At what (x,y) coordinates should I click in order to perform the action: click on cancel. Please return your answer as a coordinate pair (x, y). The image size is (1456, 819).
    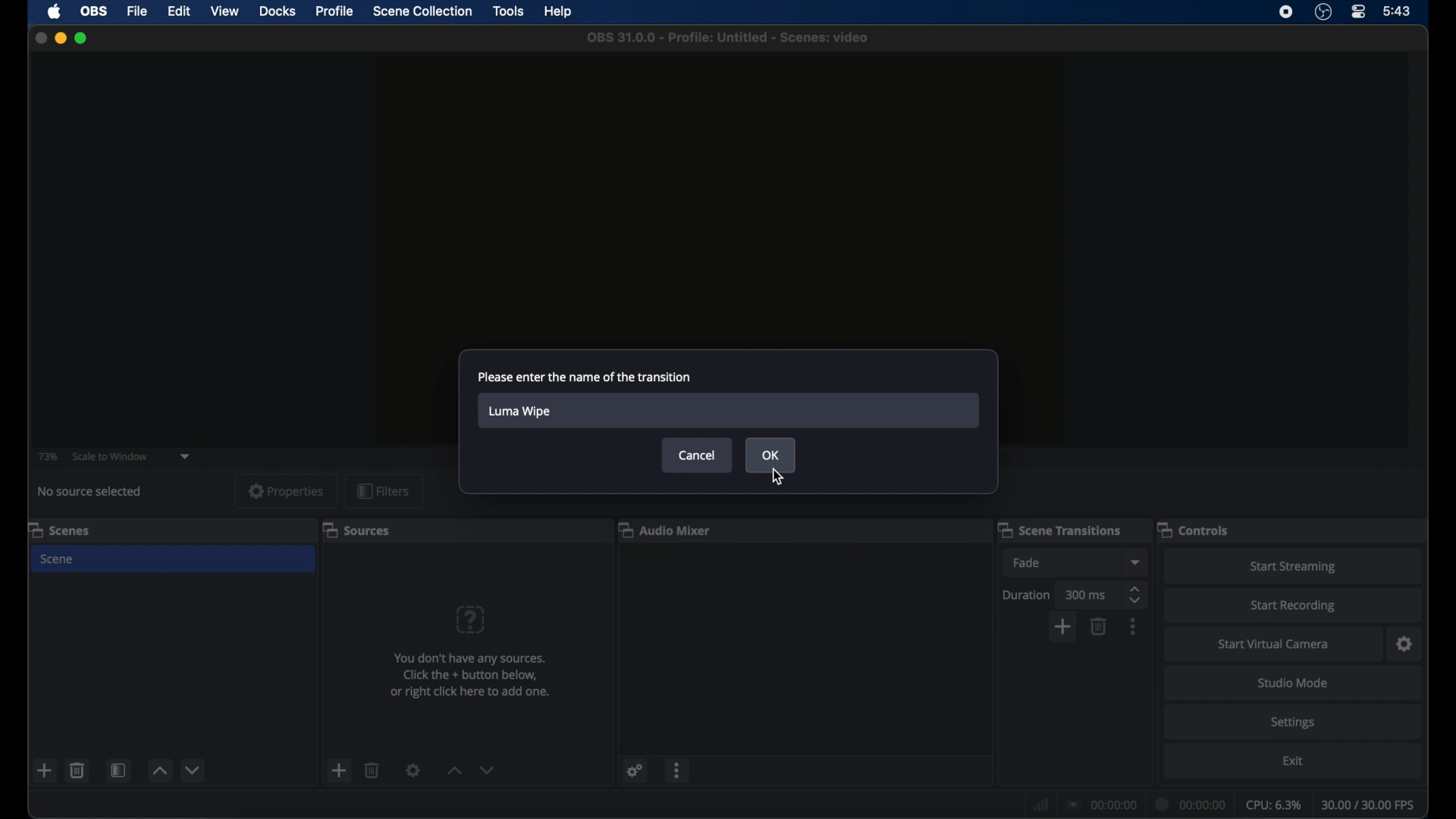
    Looking at the image, I should click on (696, 455).